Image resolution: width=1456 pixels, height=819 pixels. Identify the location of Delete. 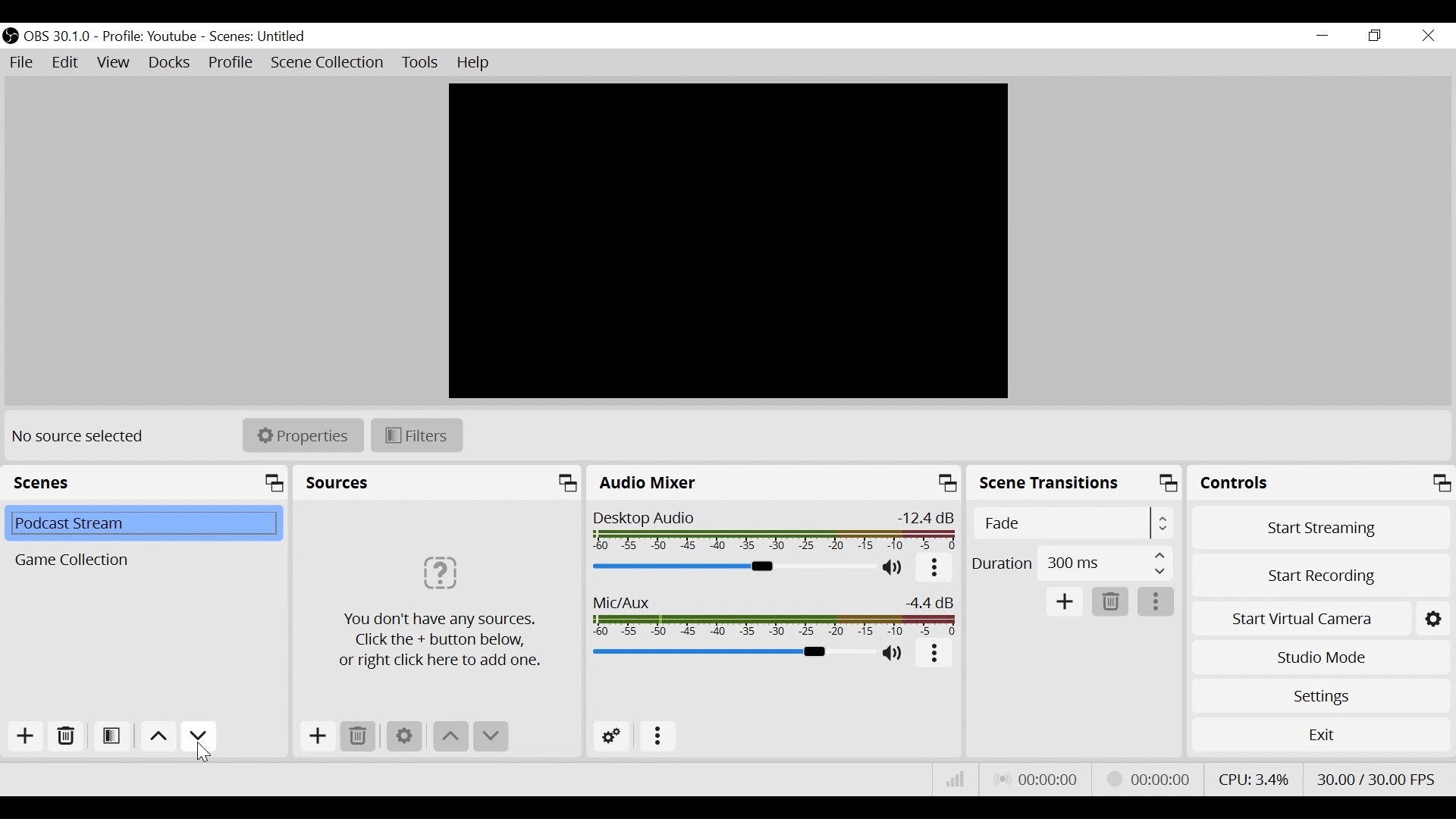
(1111, 602).